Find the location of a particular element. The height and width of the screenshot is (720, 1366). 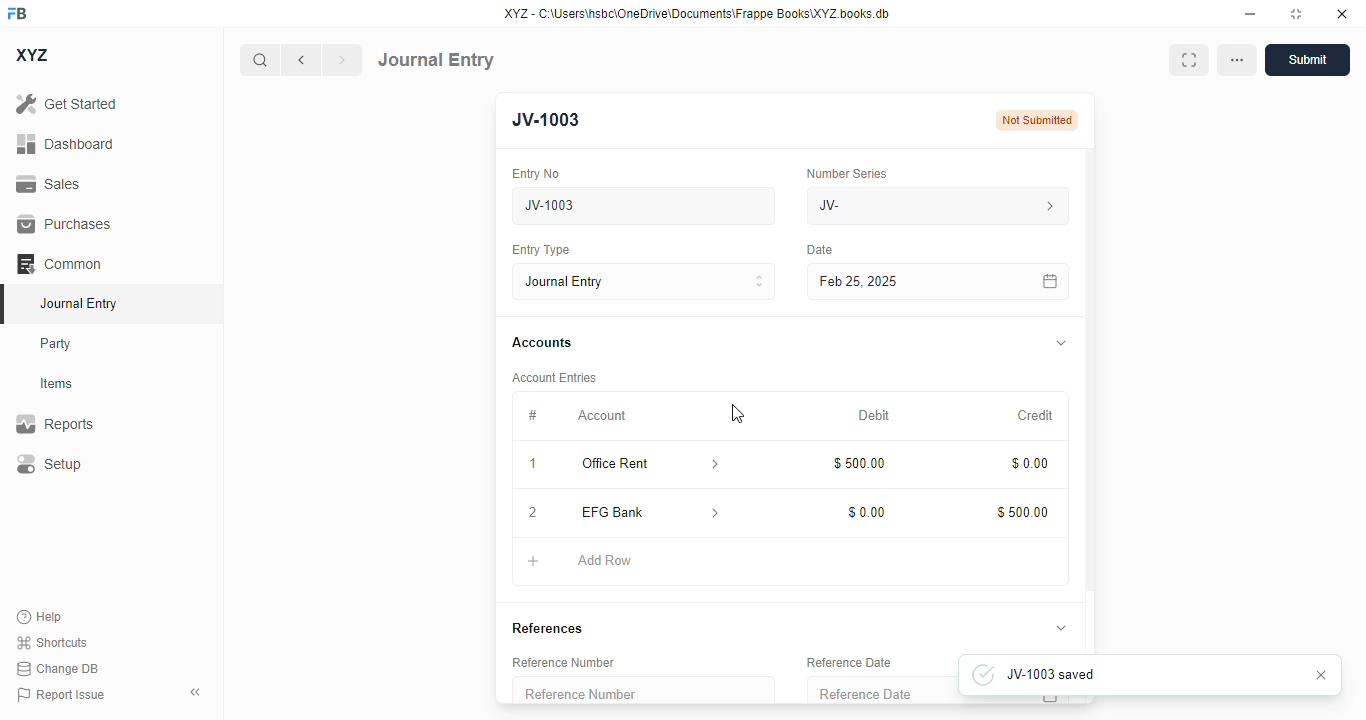

$0.00 is located at coordinates (1031, 464).